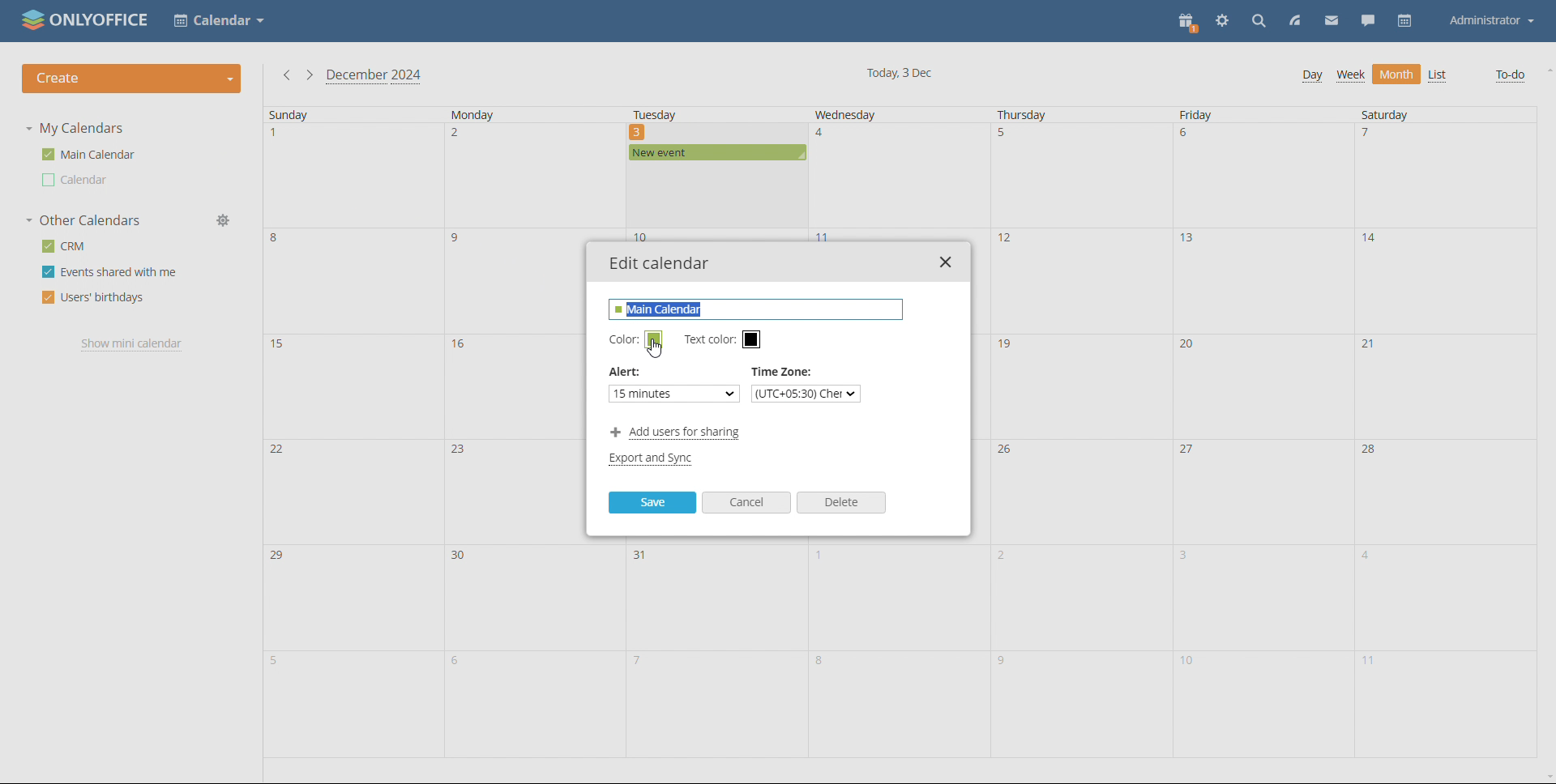 The image size is (1556, 784). Describe the element at coordinates (1438, 75) in the screenshot. I see `list view` at that location.